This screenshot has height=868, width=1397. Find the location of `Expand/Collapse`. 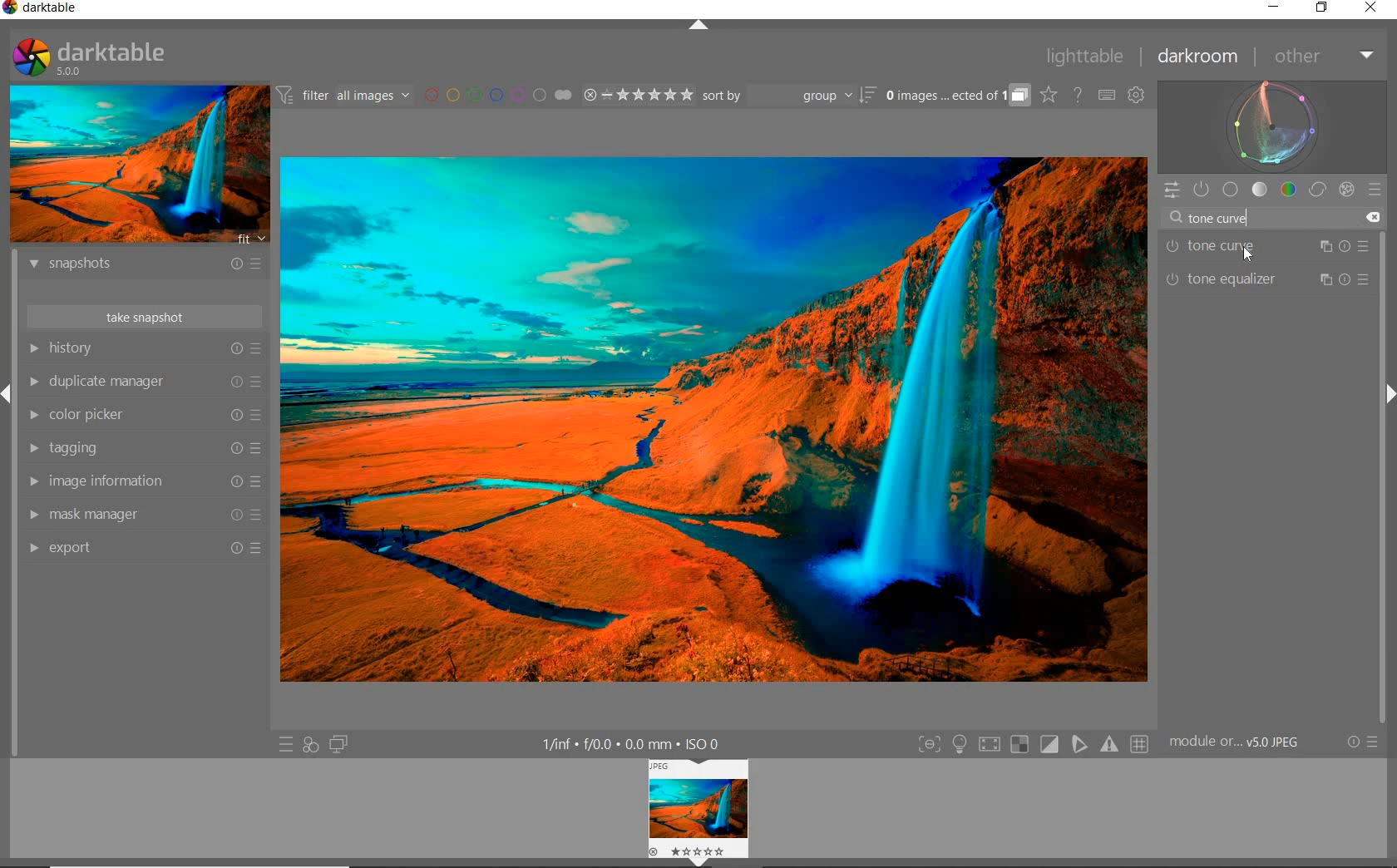

Expand/Collapse is located at coordinates (1388, 396).